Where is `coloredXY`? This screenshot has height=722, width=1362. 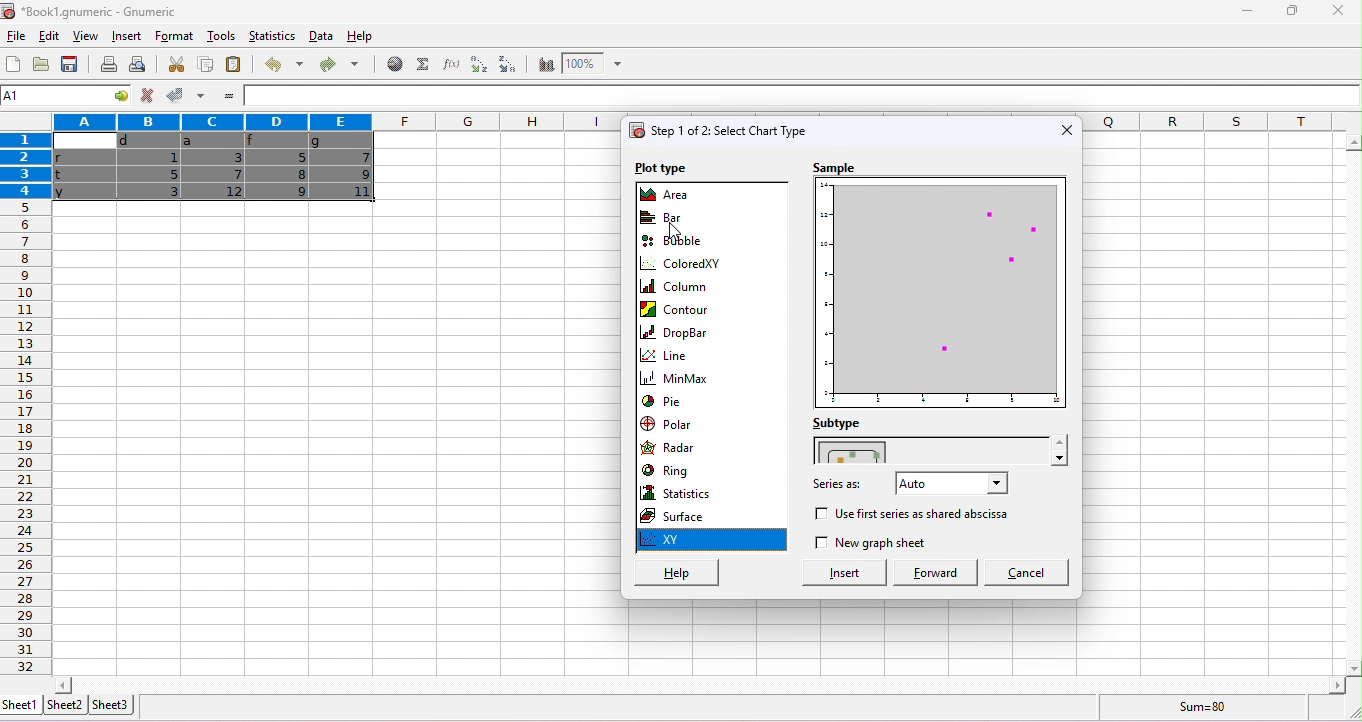
coloredXY is located at coordinates (684, 263).